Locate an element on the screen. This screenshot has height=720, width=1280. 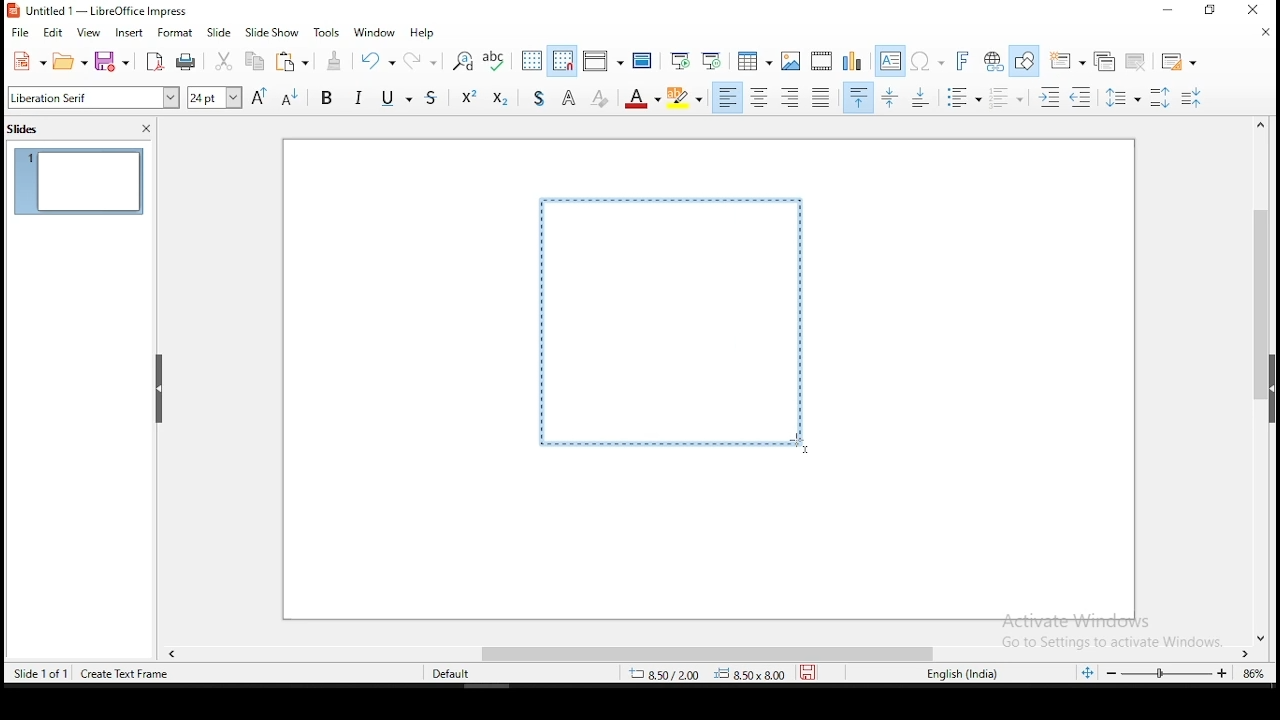
view is located at coordinates (88, 33).